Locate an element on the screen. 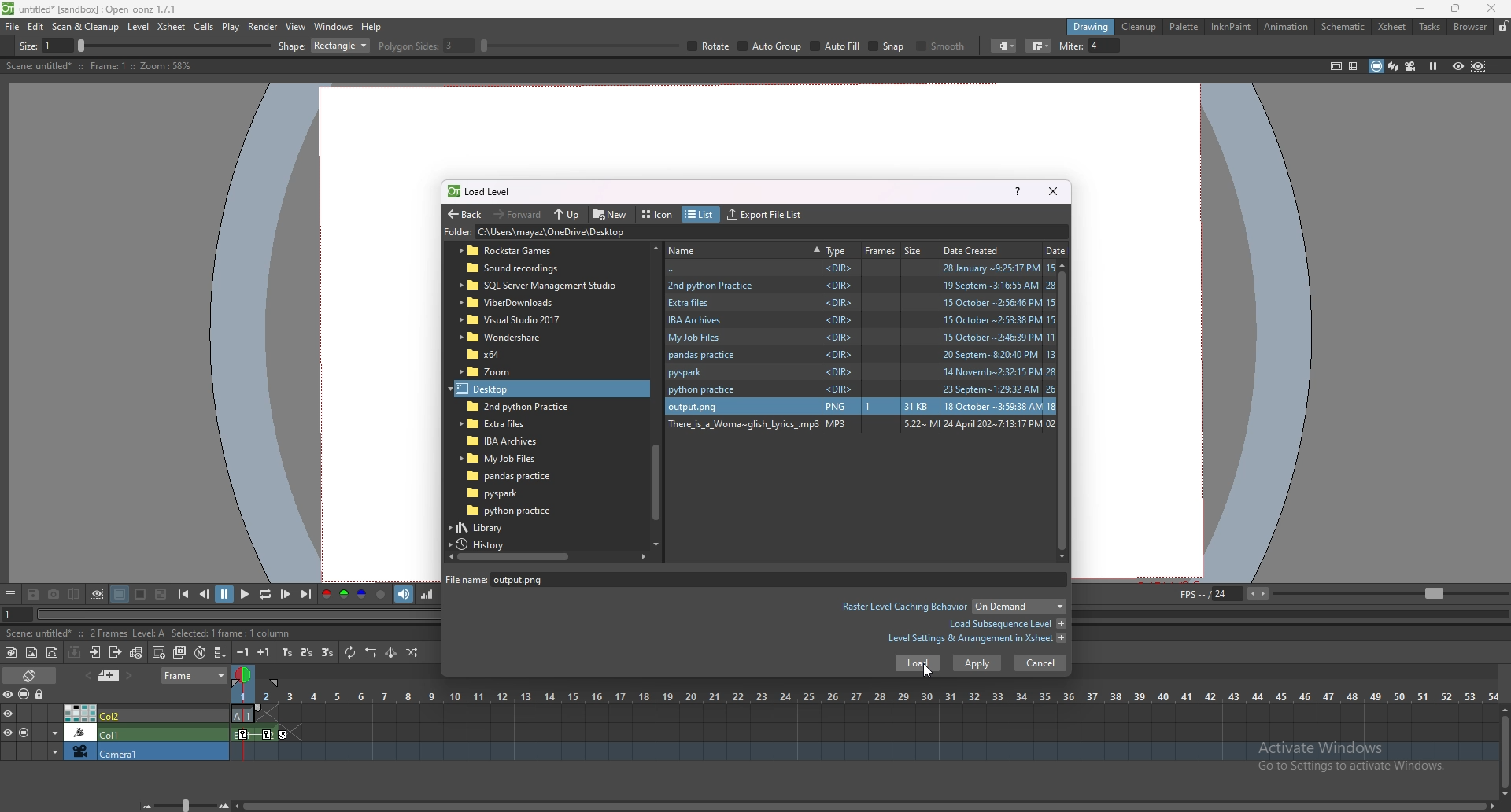 This screenshot has height=812, width=1511. folder is located at coordinates (514, 406).